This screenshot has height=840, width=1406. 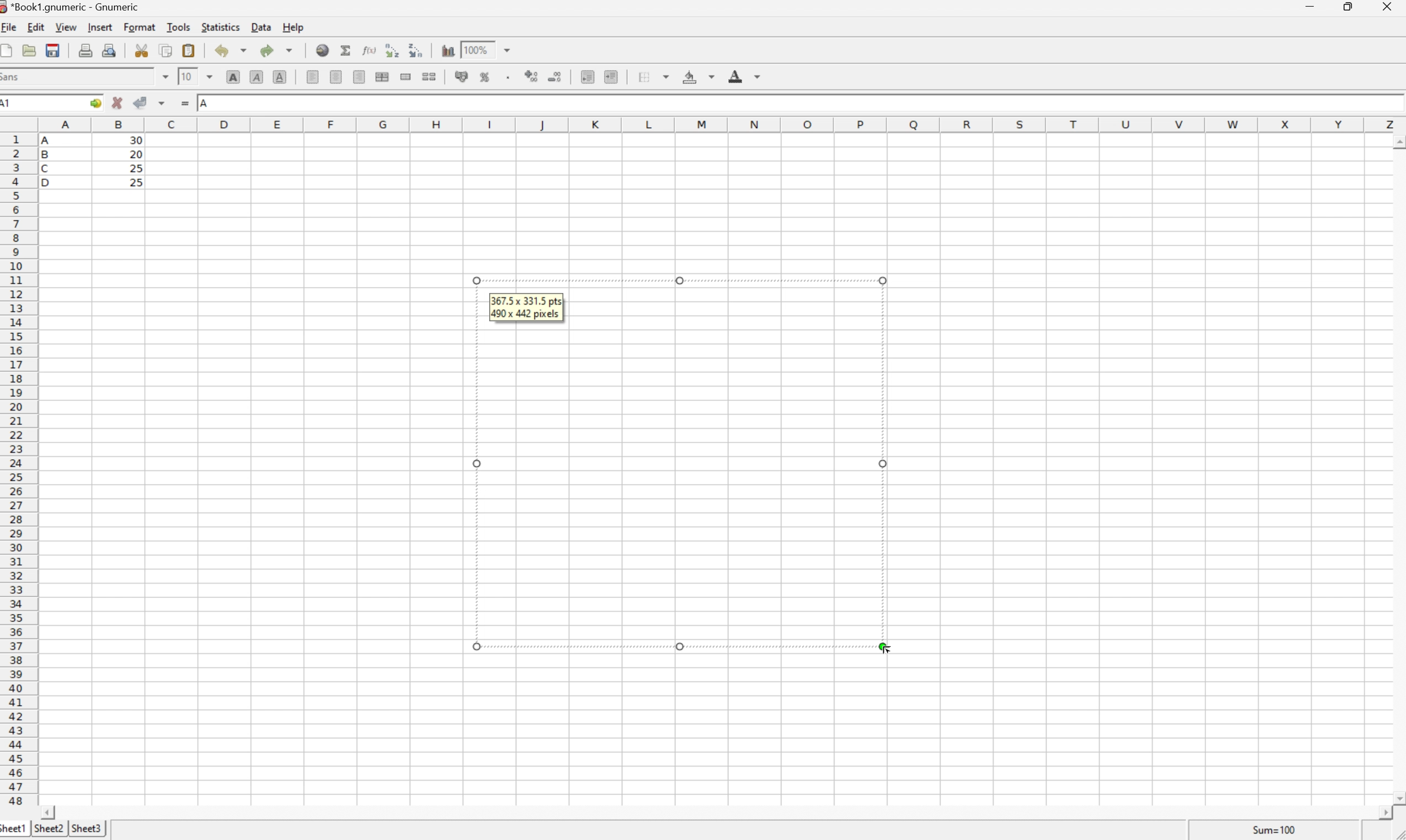 I want to click on View, so click(x=67, y=27).